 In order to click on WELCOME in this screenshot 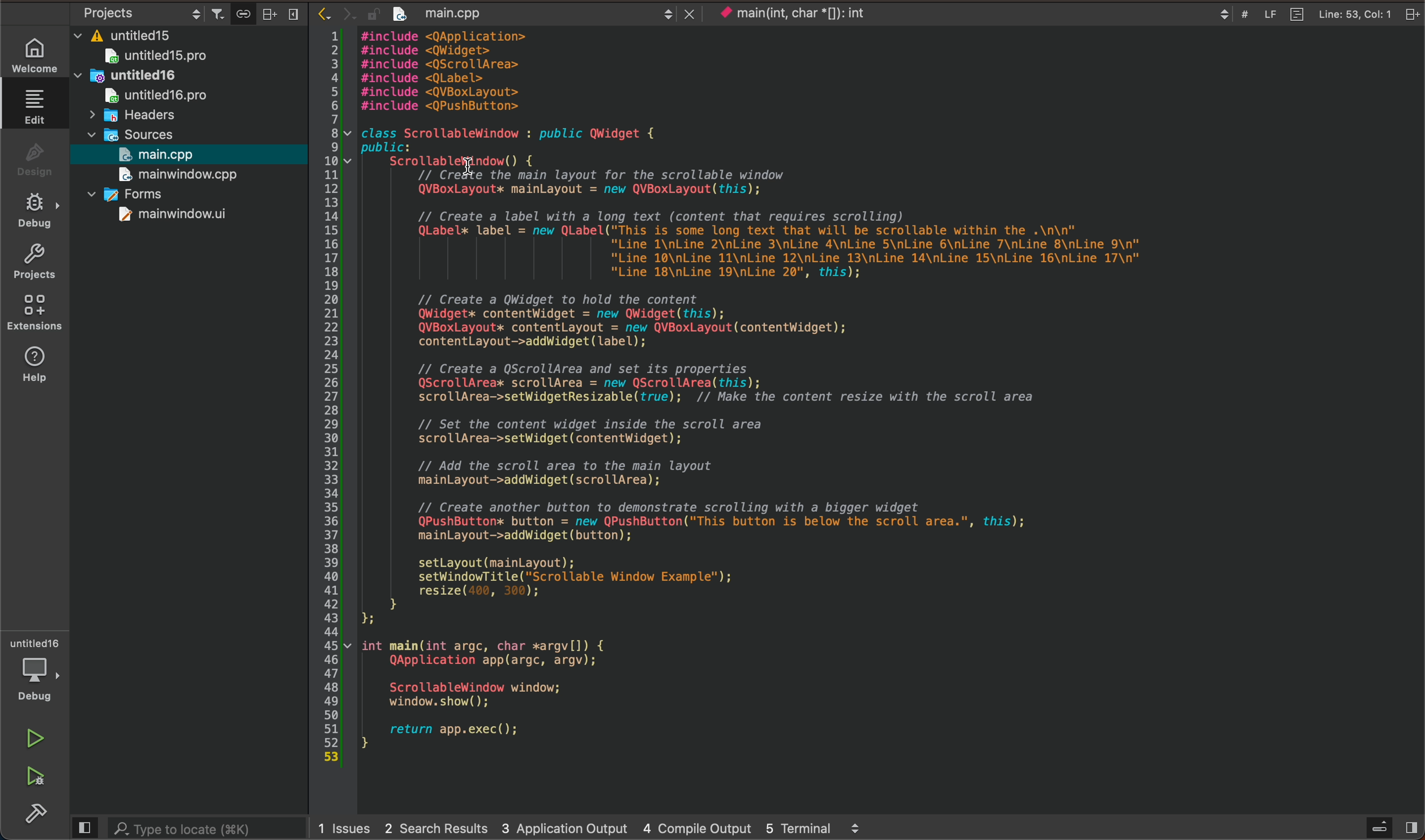, I will do `click(35, 53)`.